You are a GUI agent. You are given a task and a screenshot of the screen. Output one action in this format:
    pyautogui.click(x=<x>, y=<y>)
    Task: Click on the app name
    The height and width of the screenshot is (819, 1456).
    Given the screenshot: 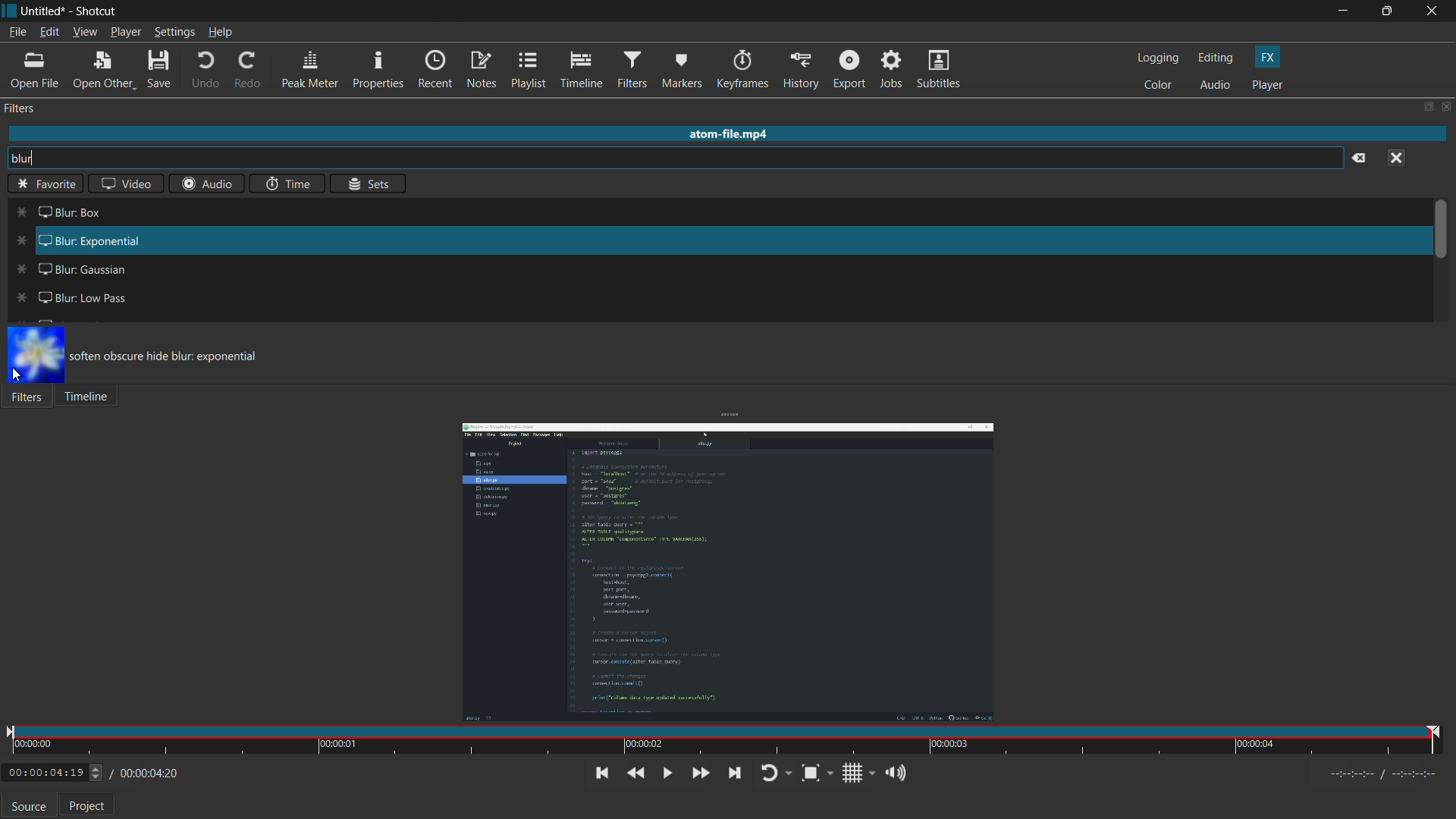 What is the action you would take?
    pyautogui.click(x=94, y=13)
    